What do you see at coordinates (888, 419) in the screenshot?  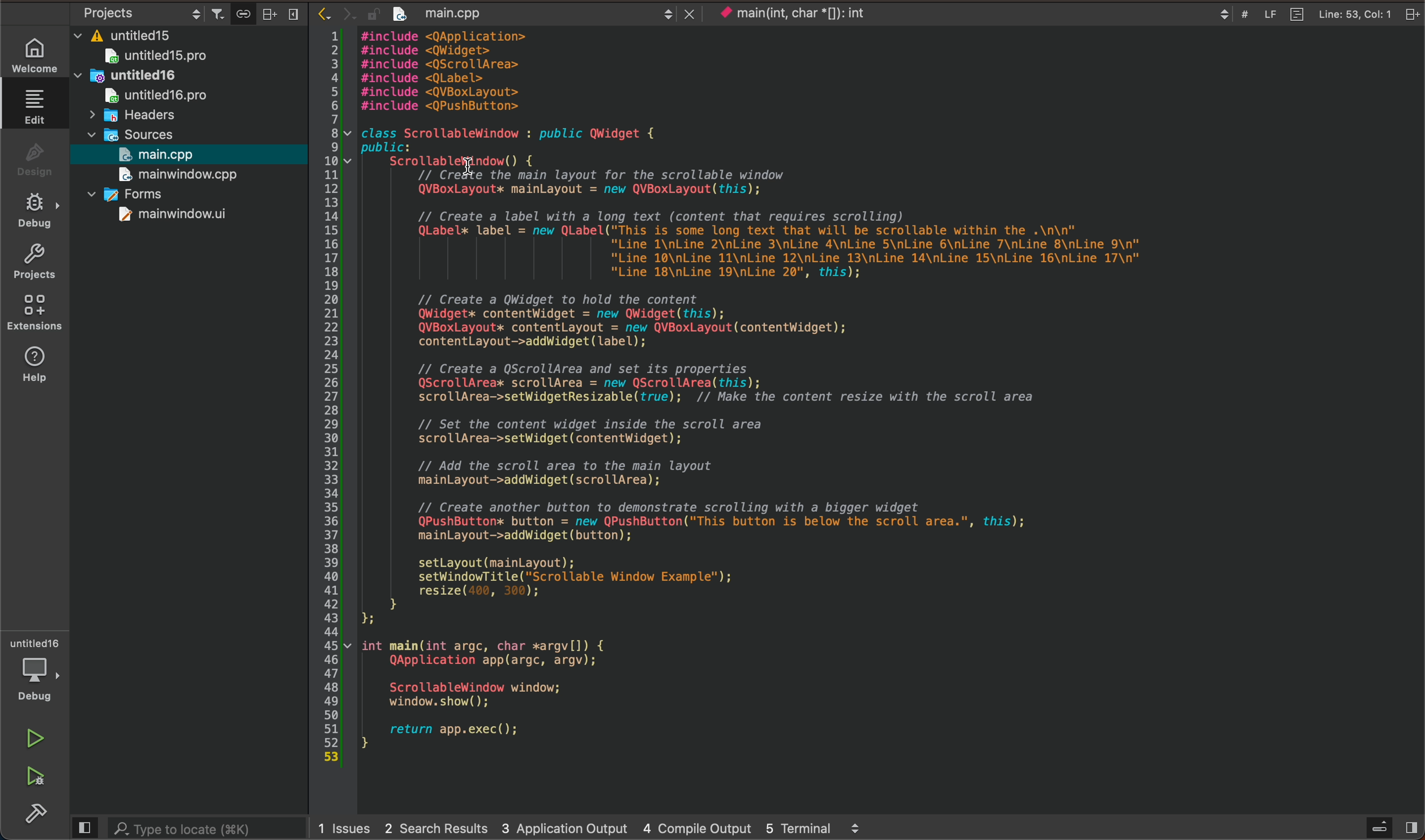 I see `updated code` at bounding box center [888, 419].